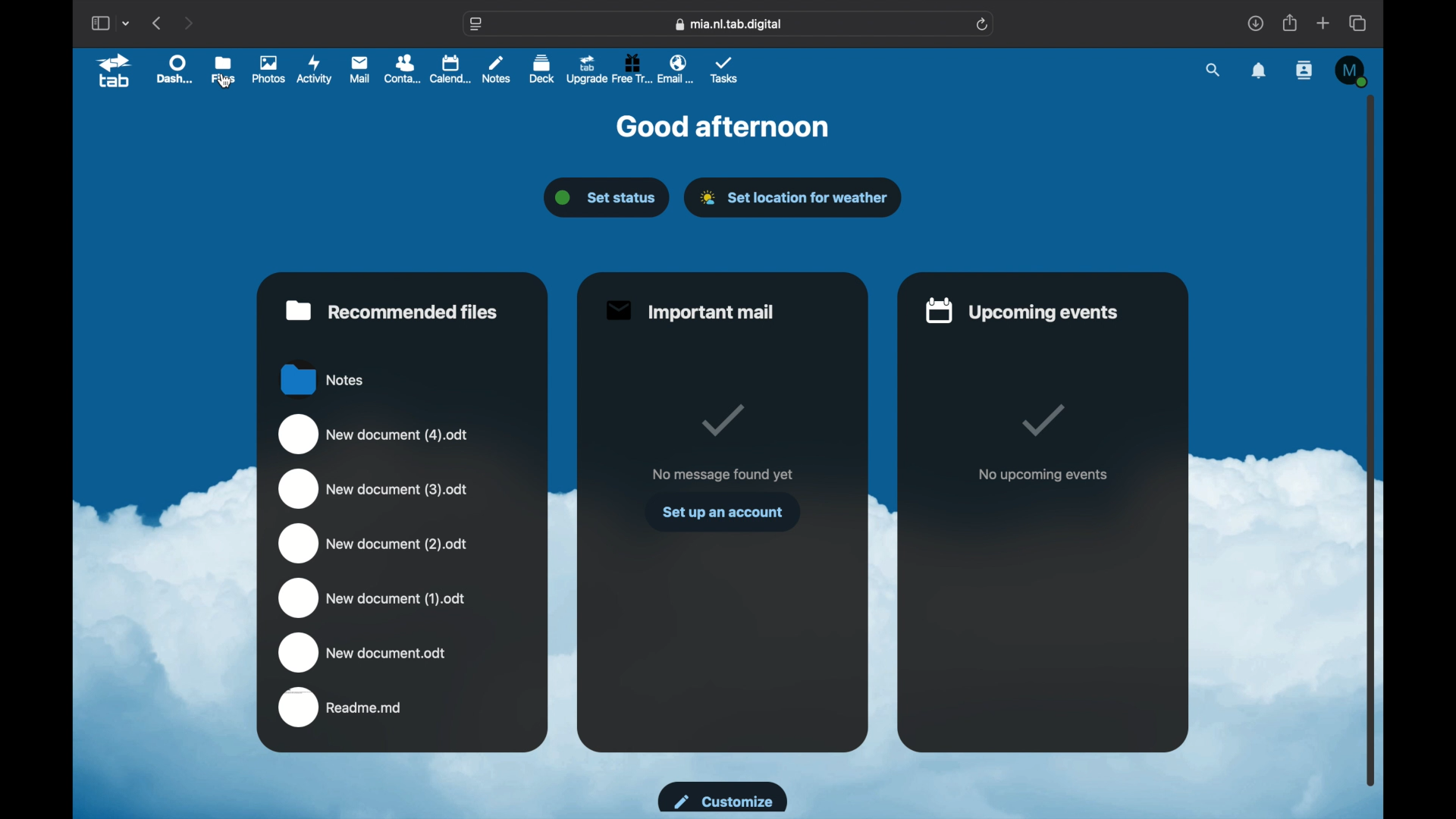 The width and height of the screenshot is (1456, 819). I want to click on notes, so click(324, 379).